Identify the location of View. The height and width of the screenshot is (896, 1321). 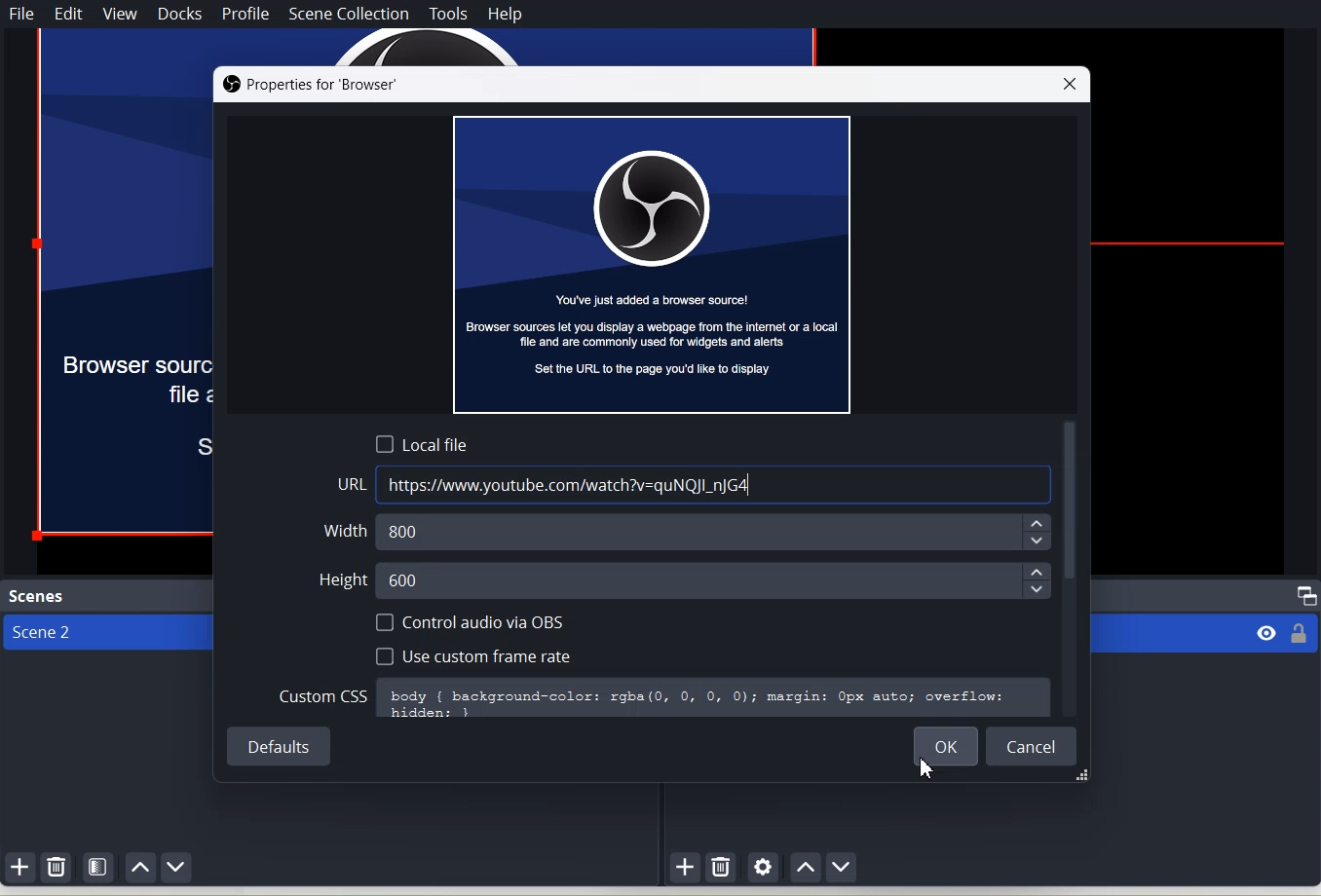
(120, 14).